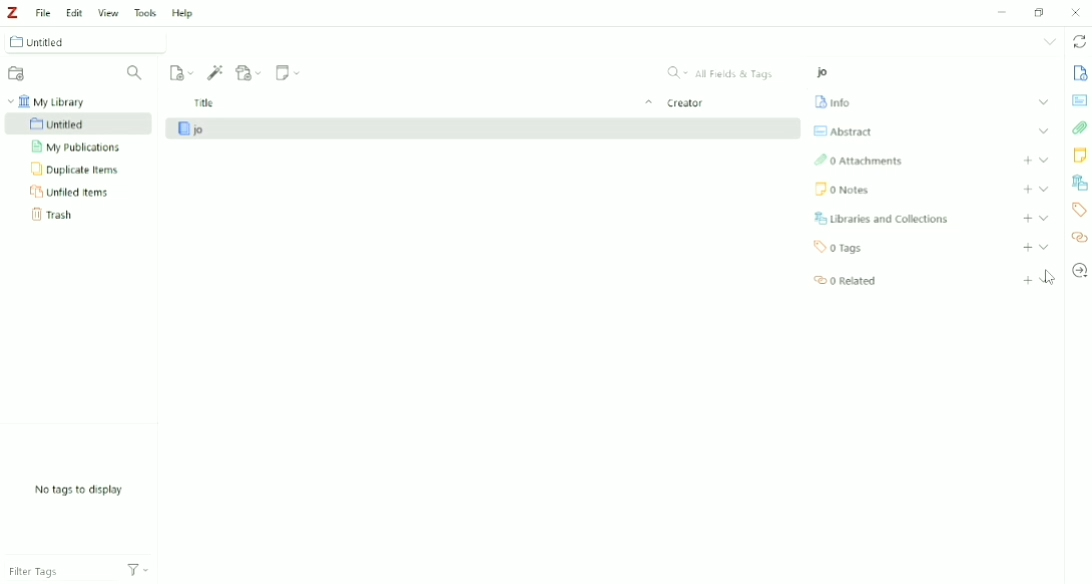 The width and height of the screenshot is (1092, 584). Describe the element at coordinates (17, 73) in the screenshot. I see `New Collection` at that location.